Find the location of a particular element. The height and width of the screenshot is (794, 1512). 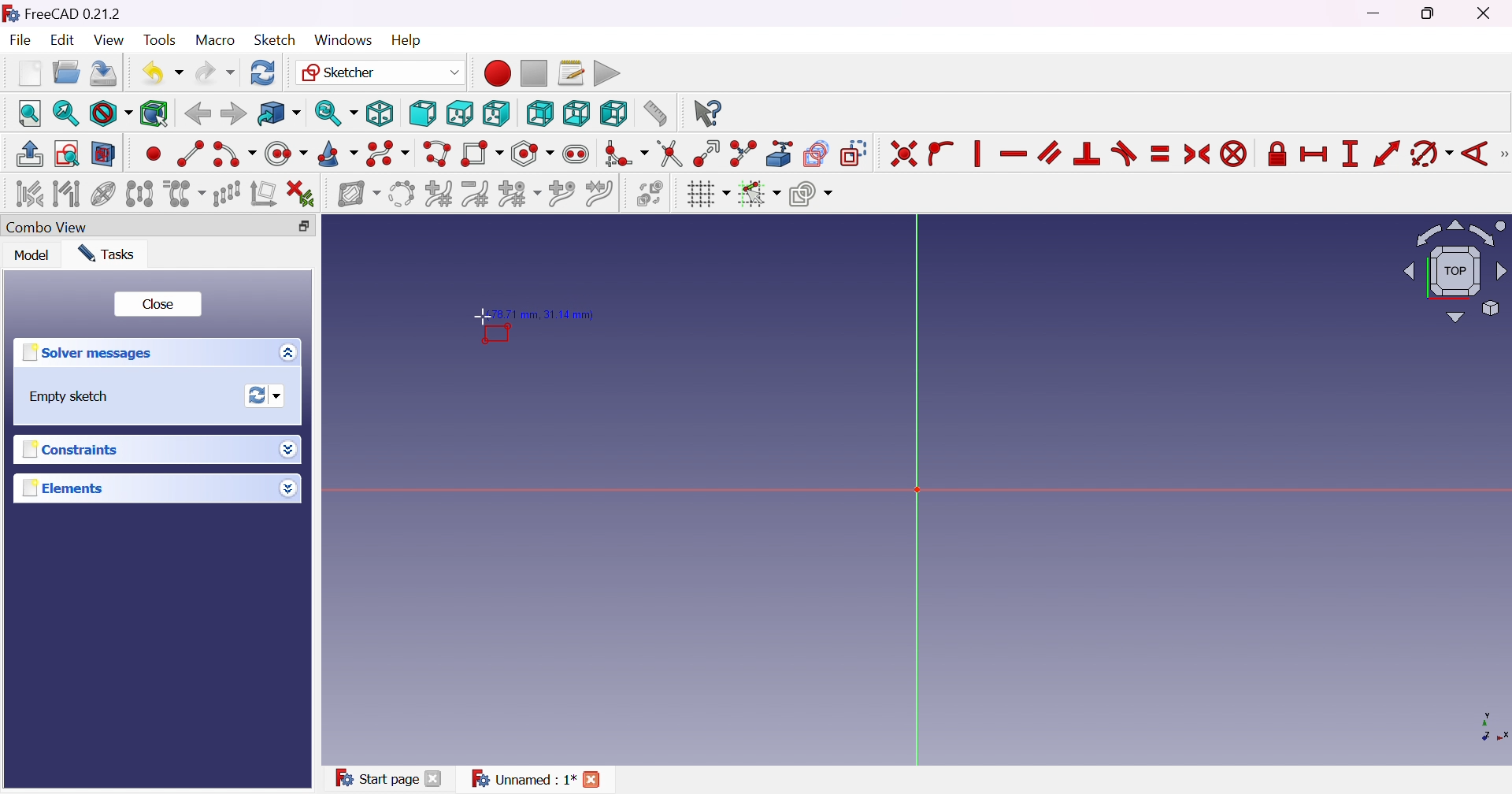

Constraints is located at coordinates (80, 448).